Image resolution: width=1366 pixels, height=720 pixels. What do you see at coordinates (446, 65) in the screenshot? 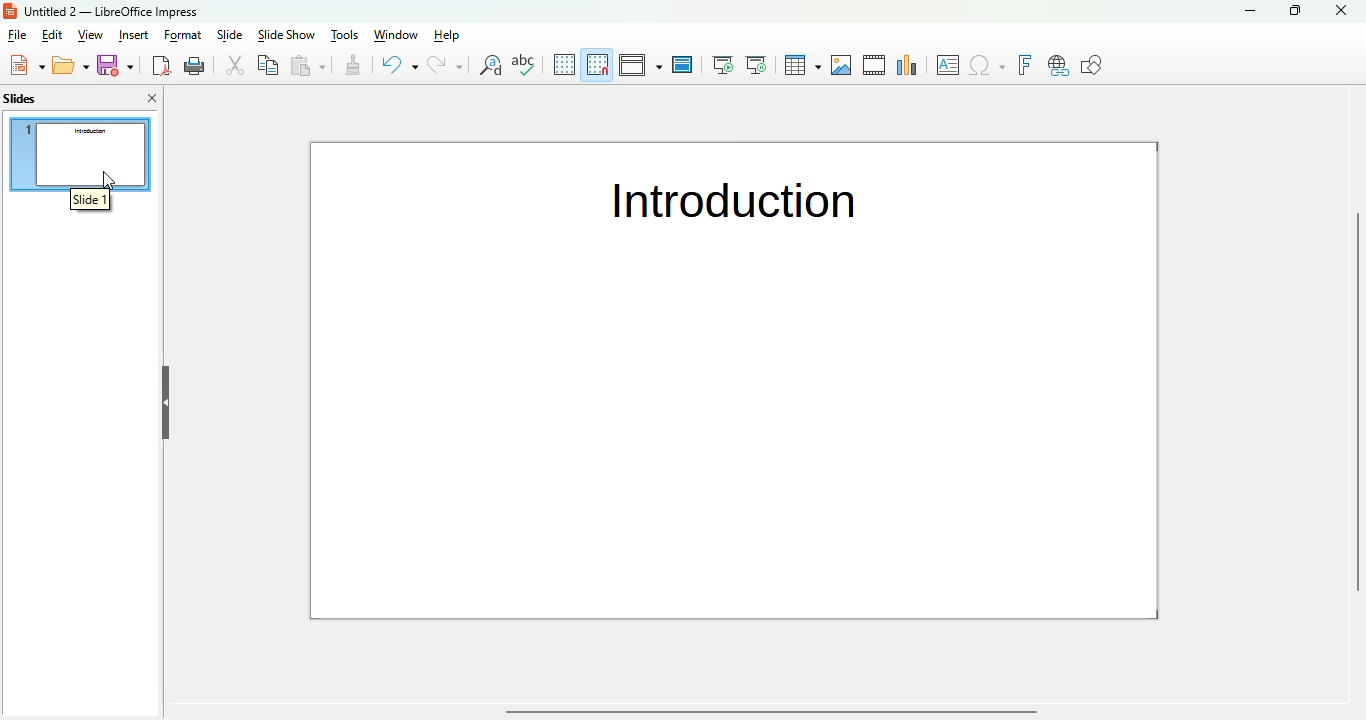
I see `redo` at bounding box center [446, 65].